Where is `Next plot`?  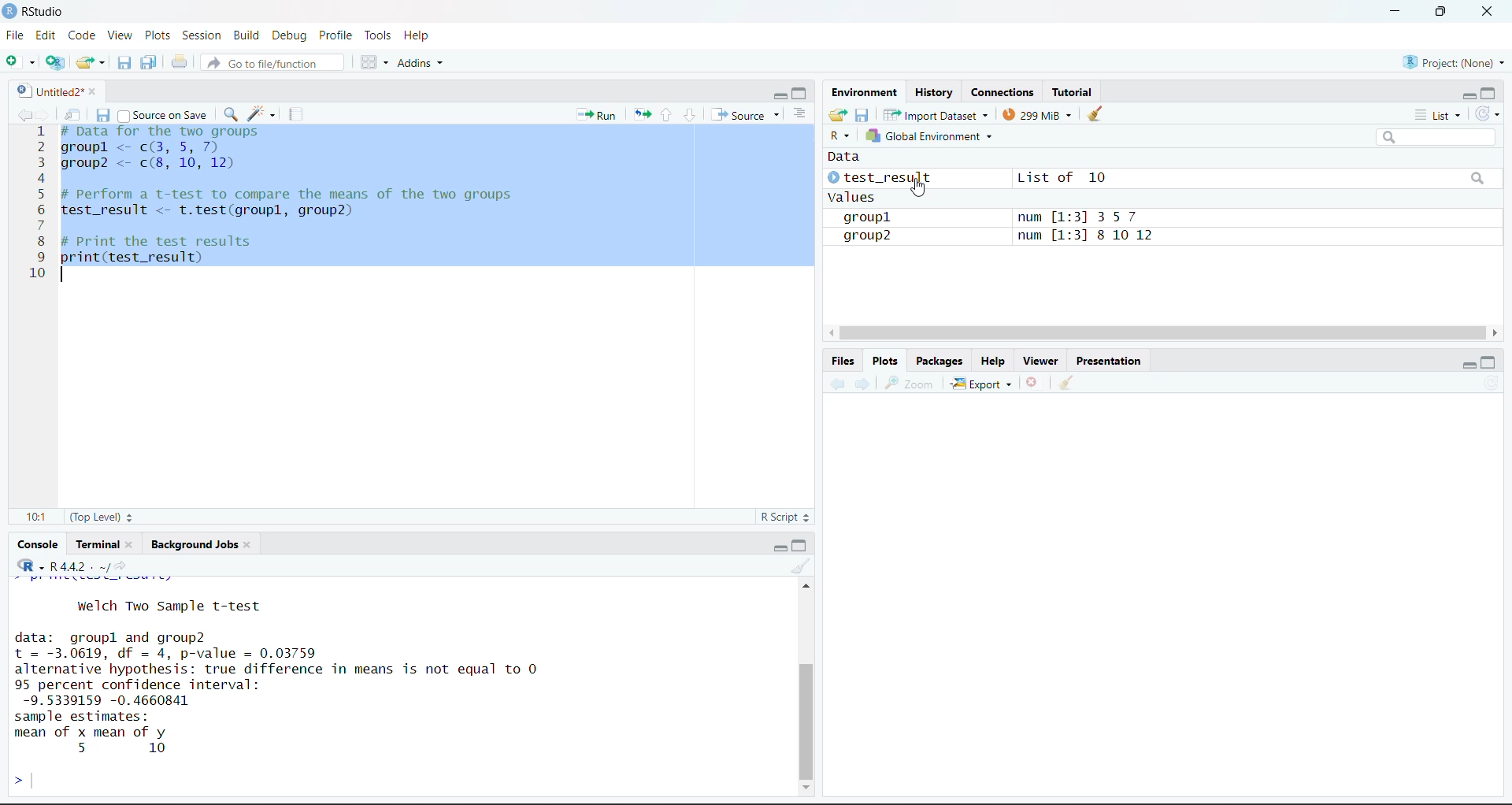
Next plot is located at coordinates (865, 382).